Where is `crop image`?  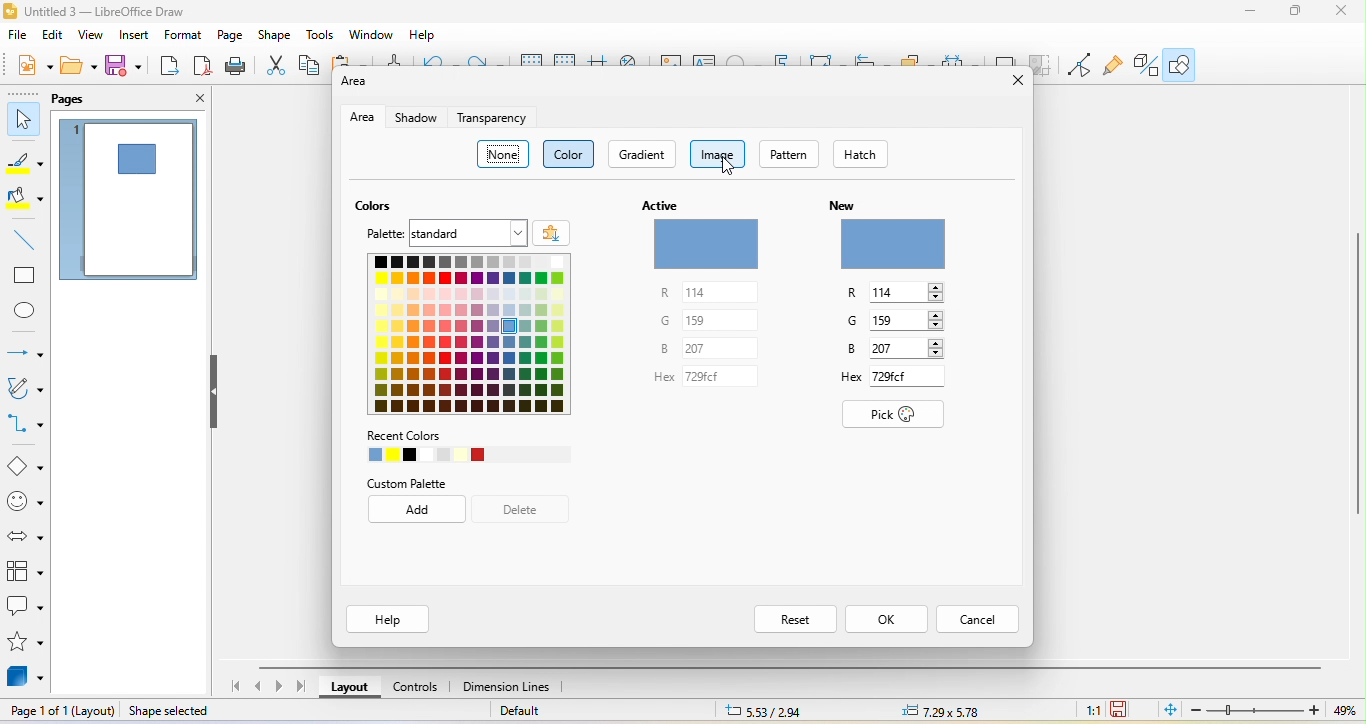 crop image is located at coordinates (1043, 66).